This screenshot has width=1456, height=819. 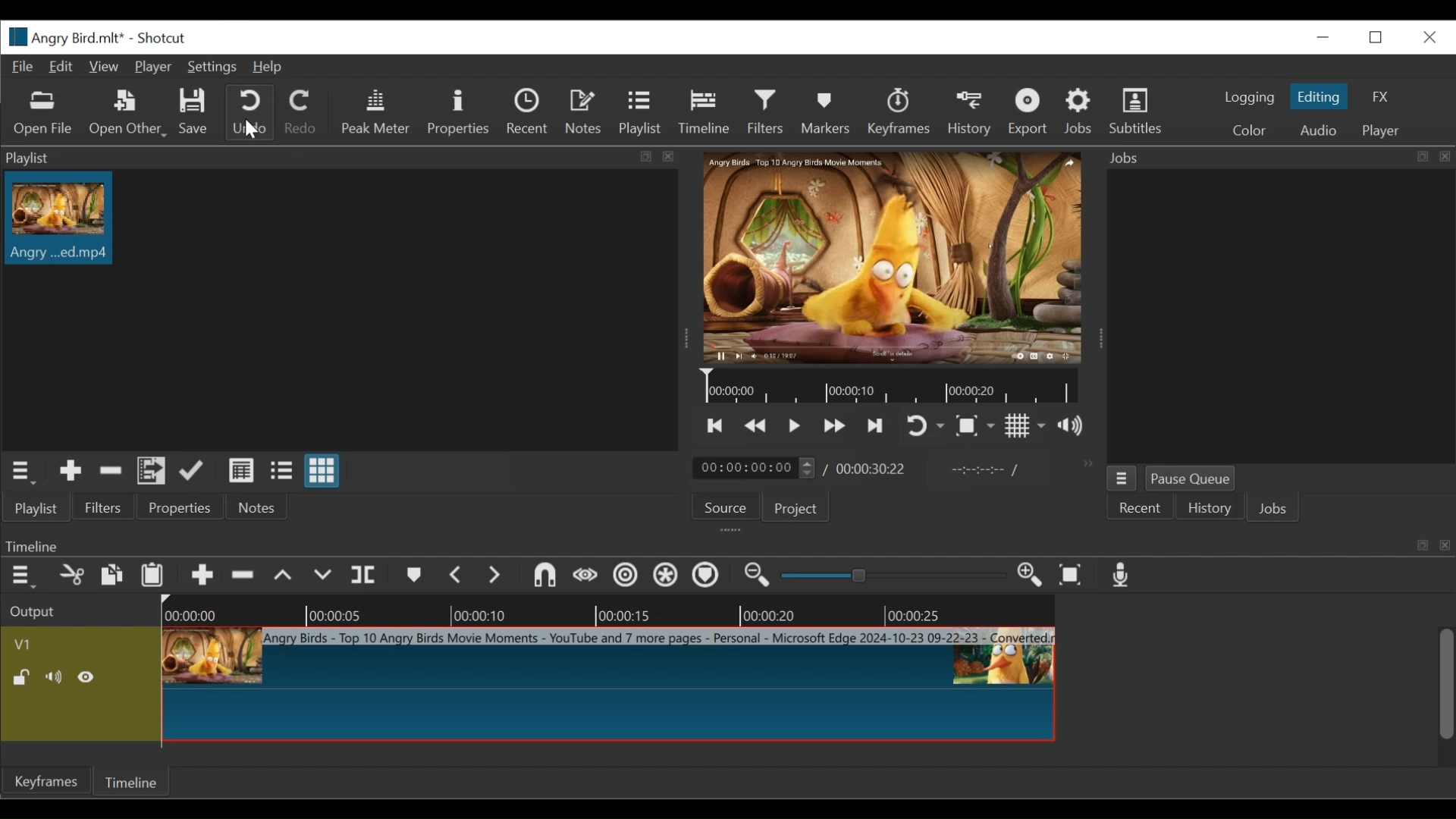 What do you see at coordinates (606, 610) in the screenshot?
I see `Timeline` at bounding box center [606, 610].